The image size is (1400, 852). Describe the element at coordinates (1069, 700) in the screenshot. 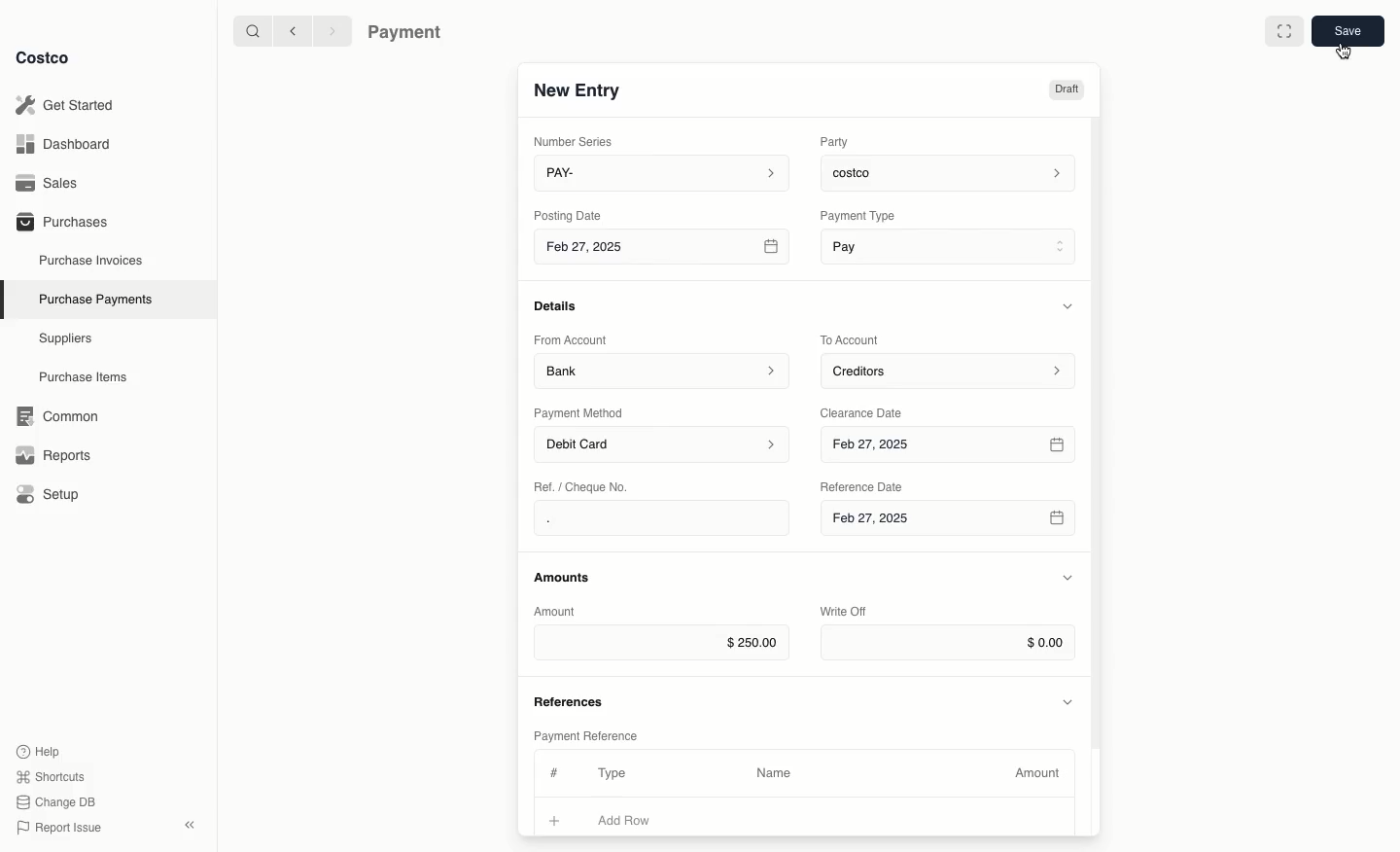

I see `Hide` at that location.